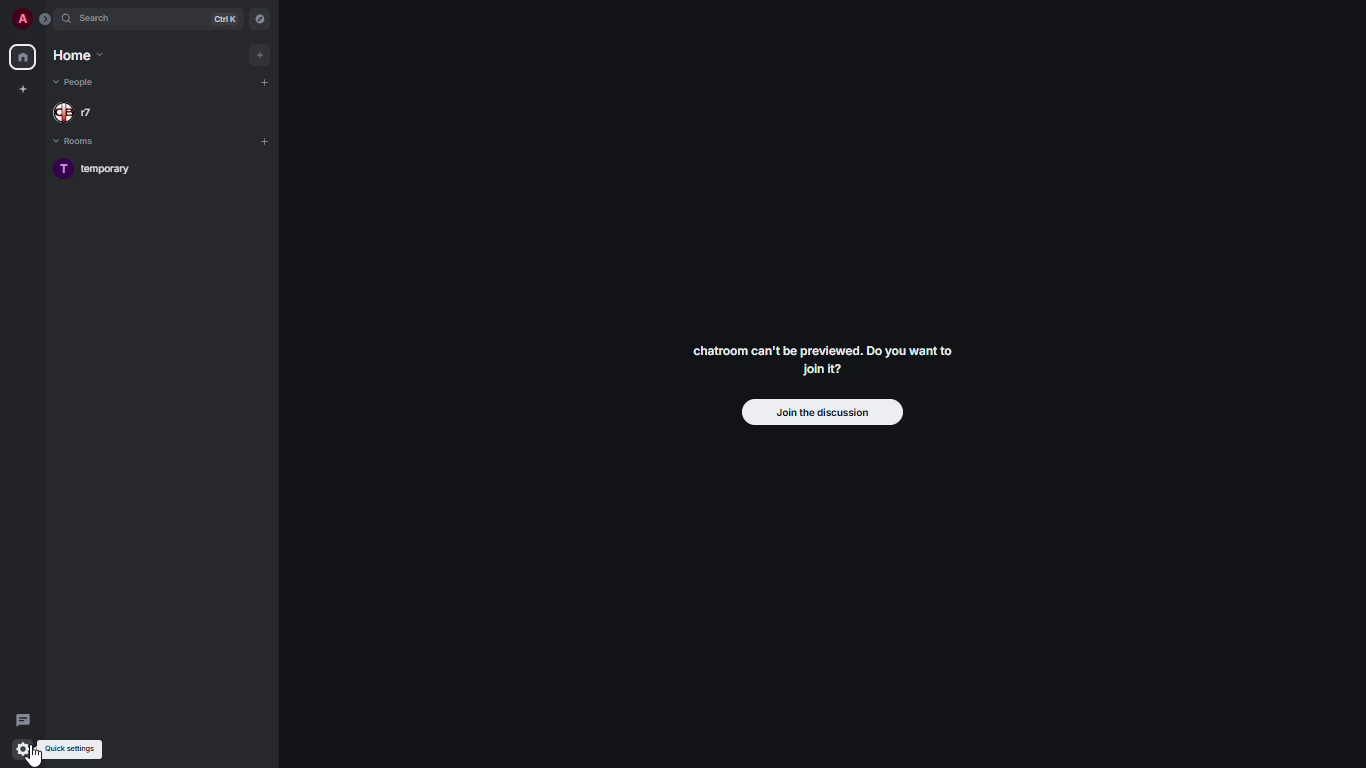 This screenshot has width=1366, height=768. I want to click on ctrl K, so click(225, 19).